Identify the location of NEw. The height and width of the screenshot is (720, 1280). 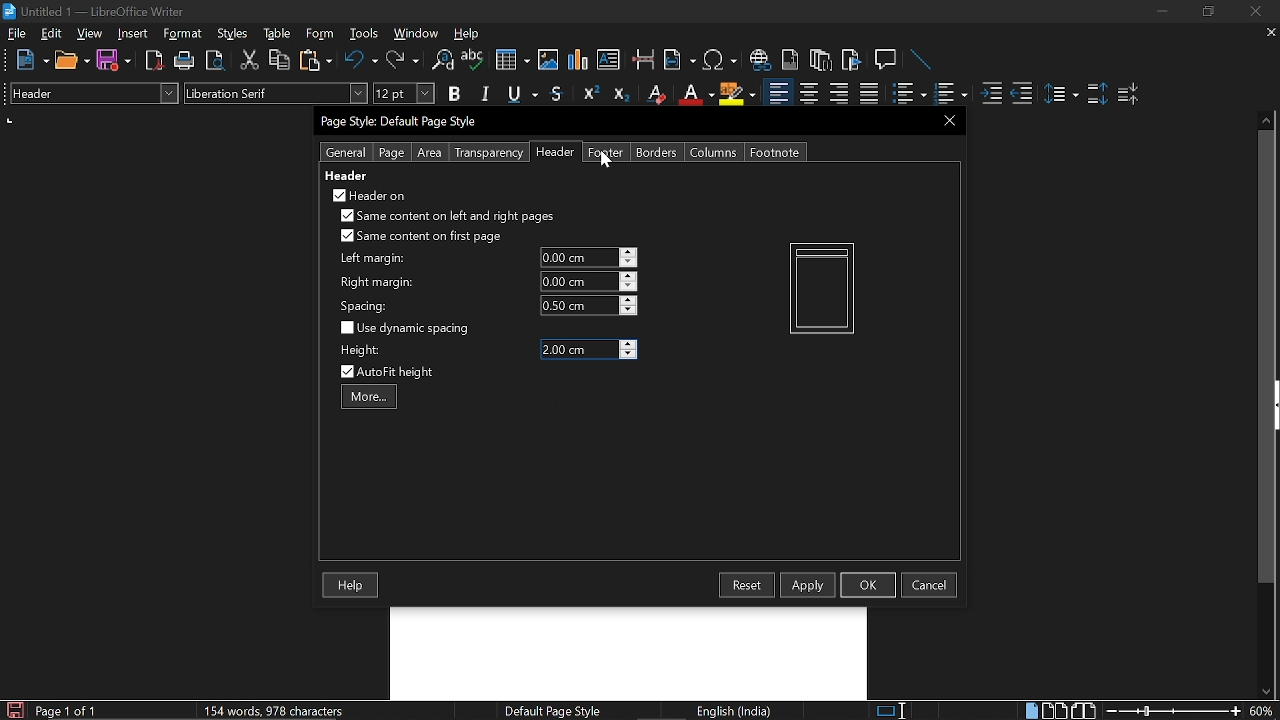
(31, 60).